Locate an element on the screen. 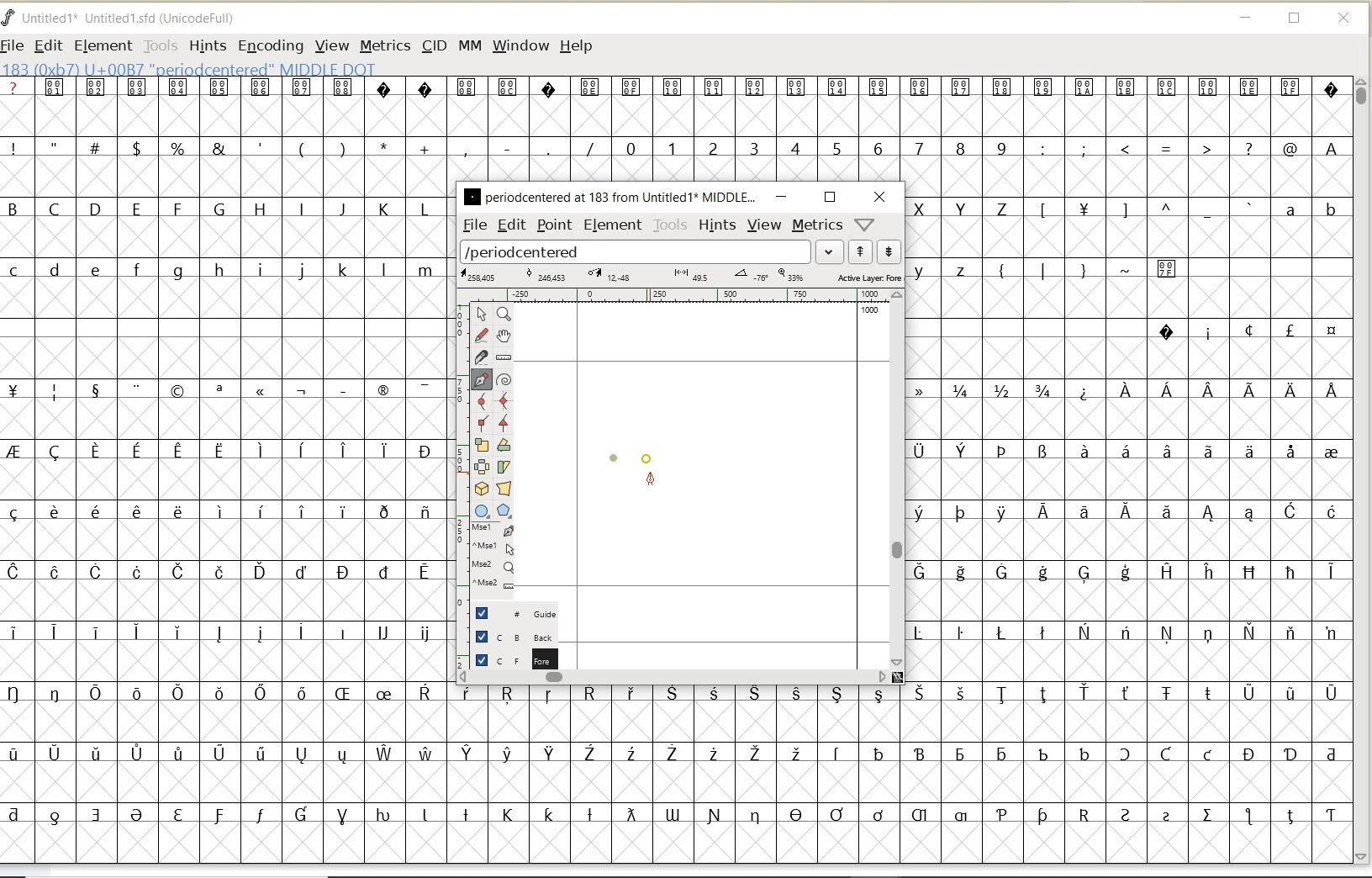 The width and height of the screenshot is (1372, 878). minimize is located at coordinates (781, 197).